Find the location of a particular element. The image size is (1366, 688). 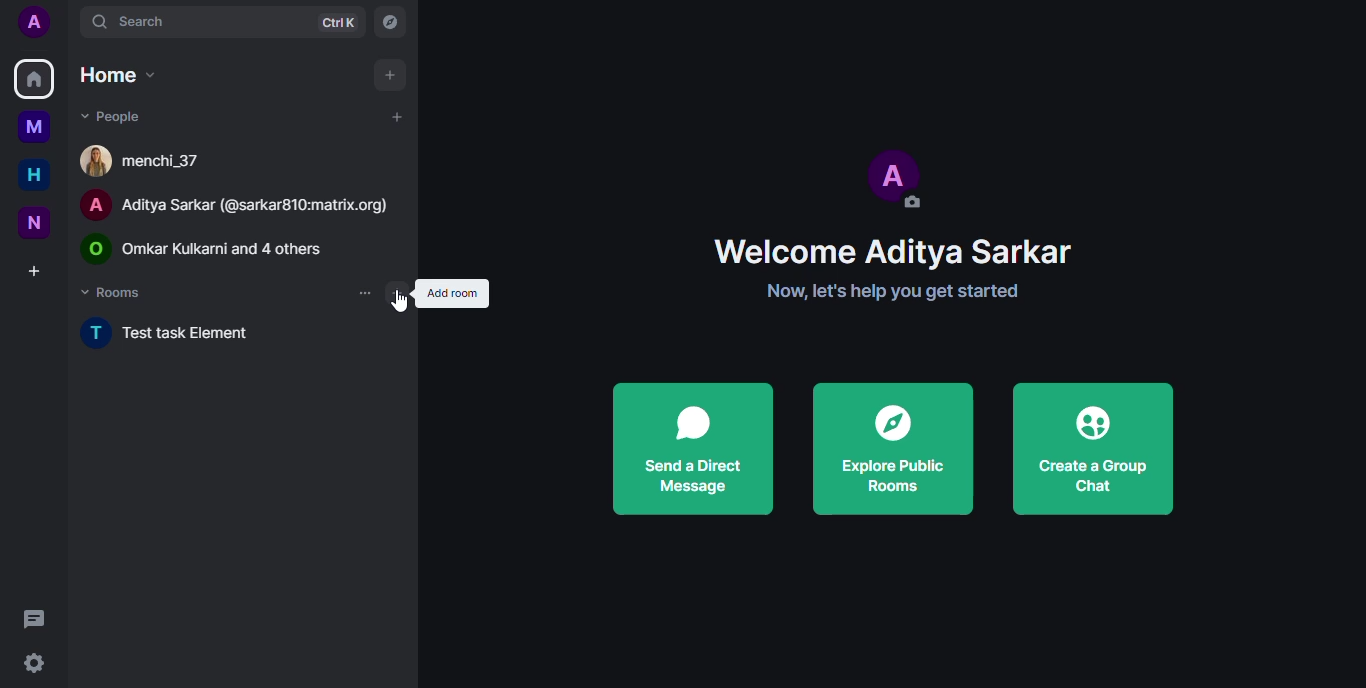

create a group chat is located at coordinates (1093, 450).